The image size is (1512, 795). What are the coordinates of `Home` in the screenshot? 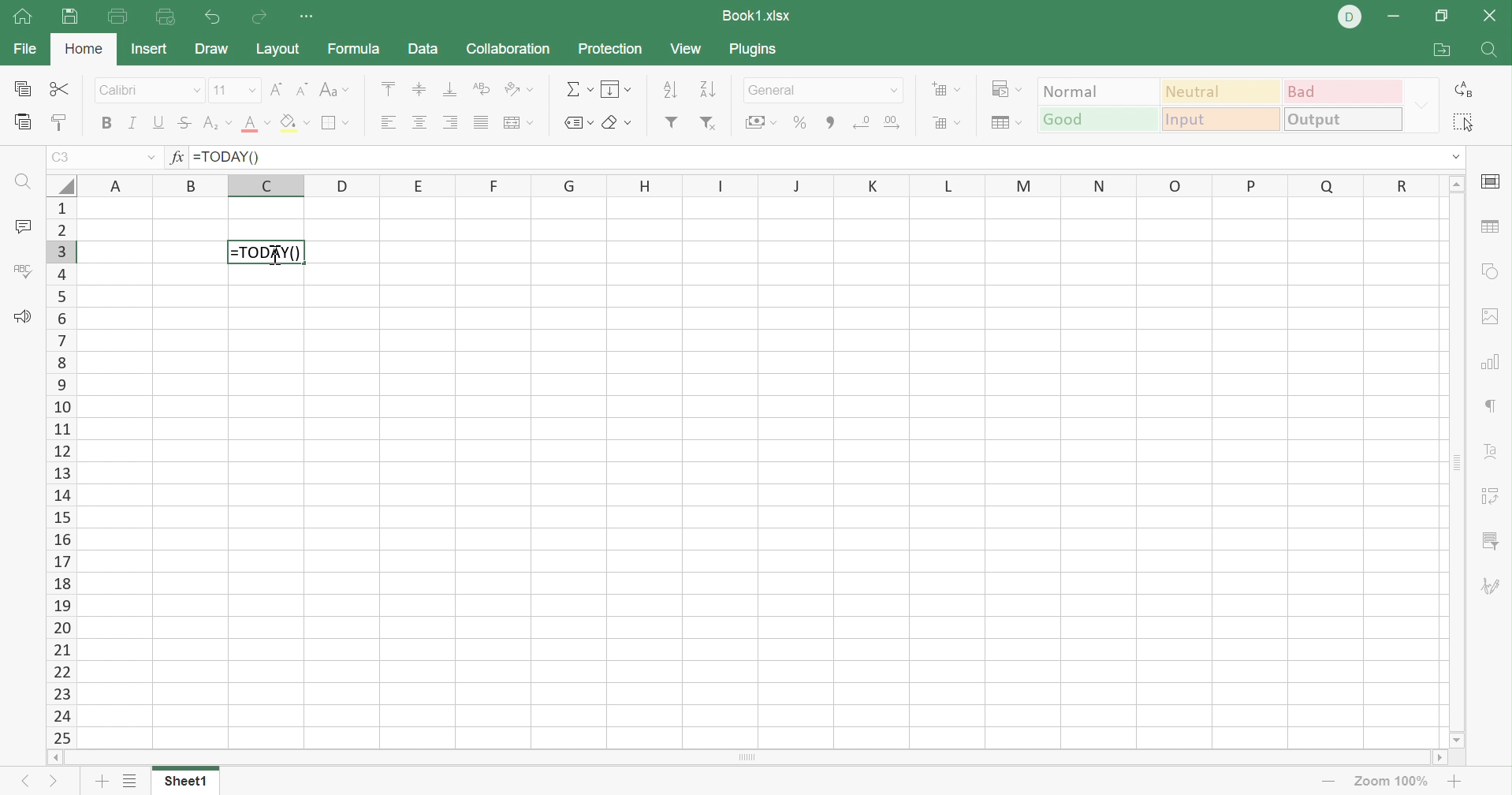 It's located at (22, 17).